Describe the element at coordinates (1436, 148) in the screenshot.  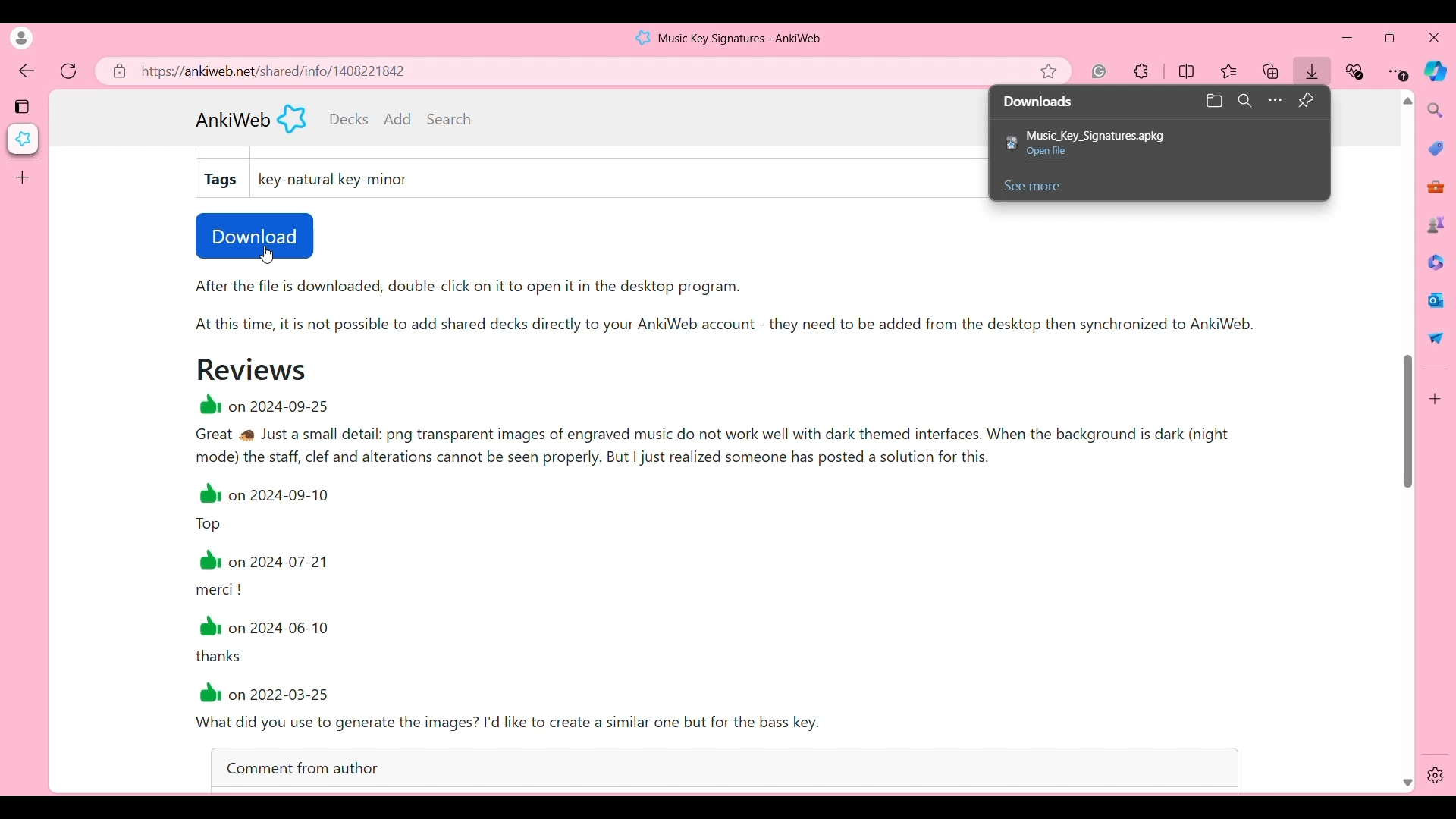
I see `Browser shopping` at that location.